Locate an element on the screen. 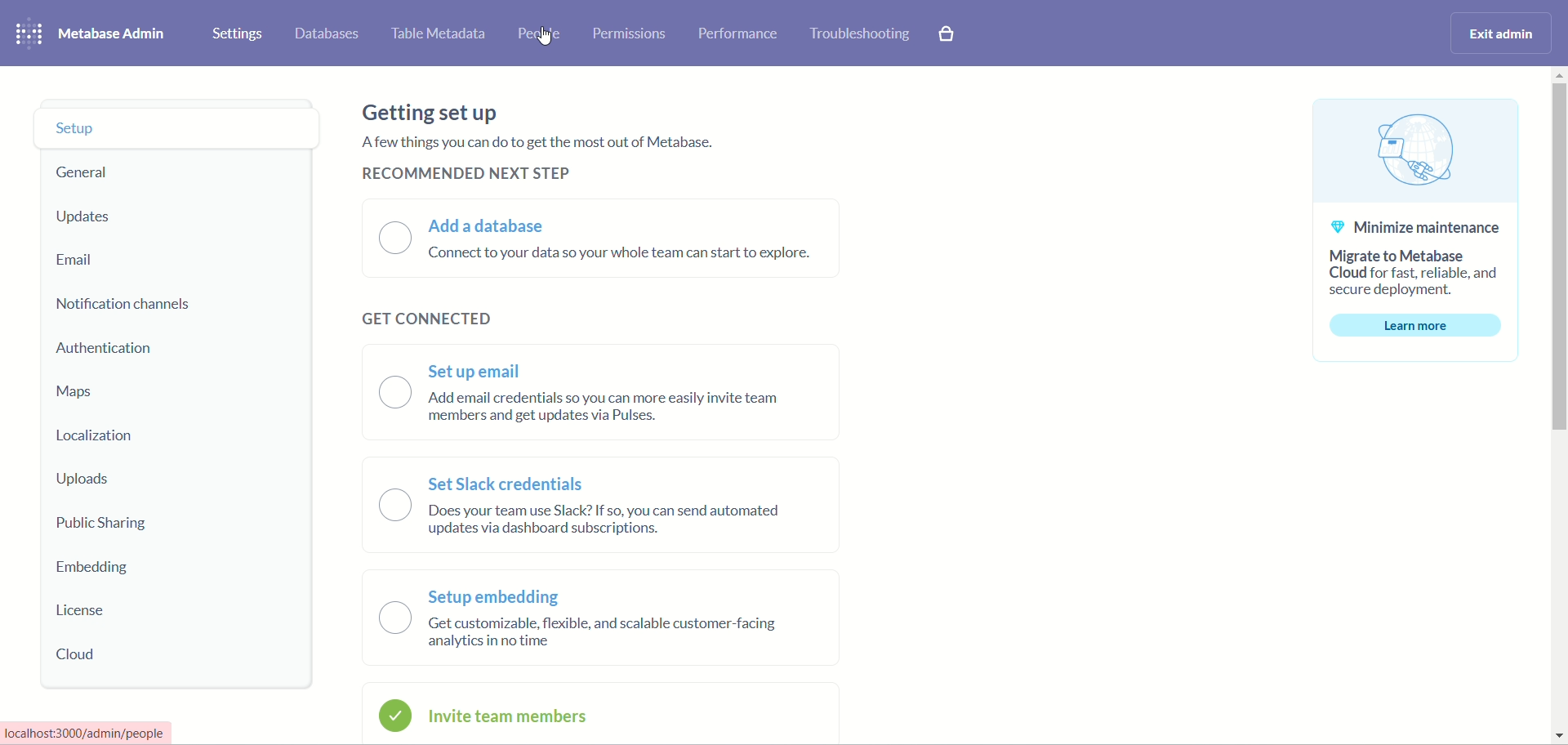  authentication is located at coordinates (105, 349).